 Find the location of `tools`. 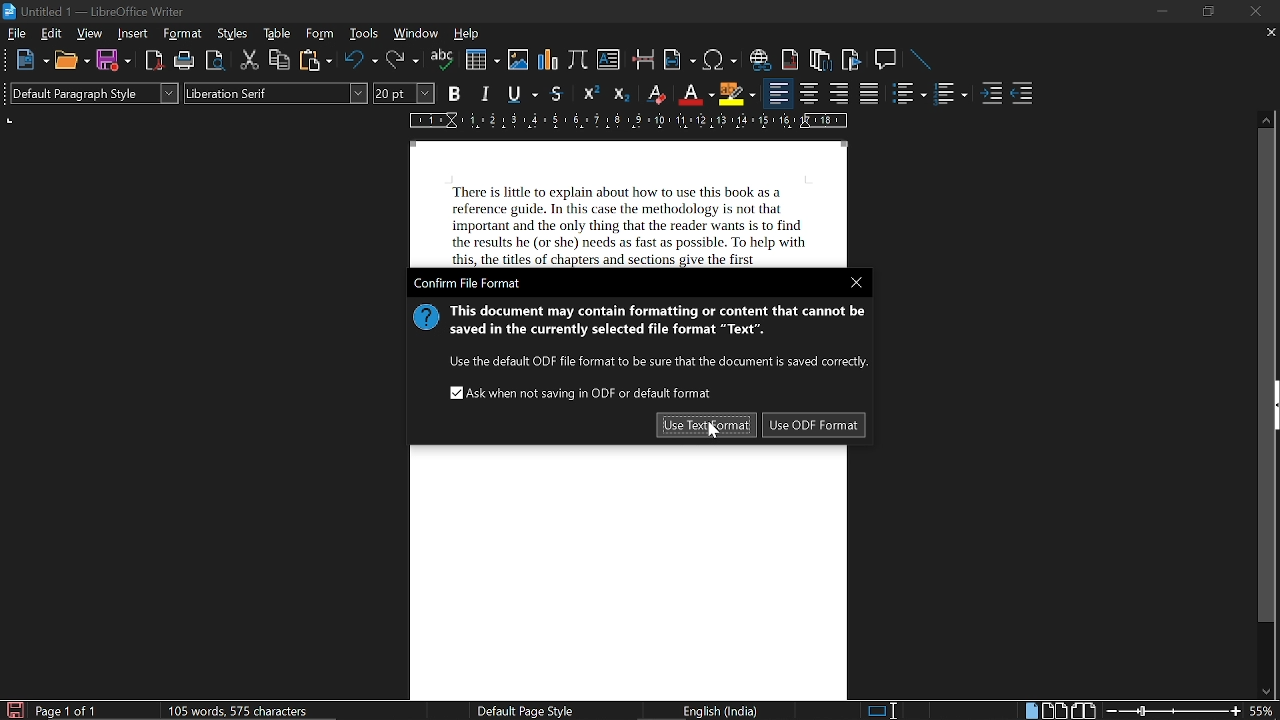

tools is located at coordinates (362, 33).